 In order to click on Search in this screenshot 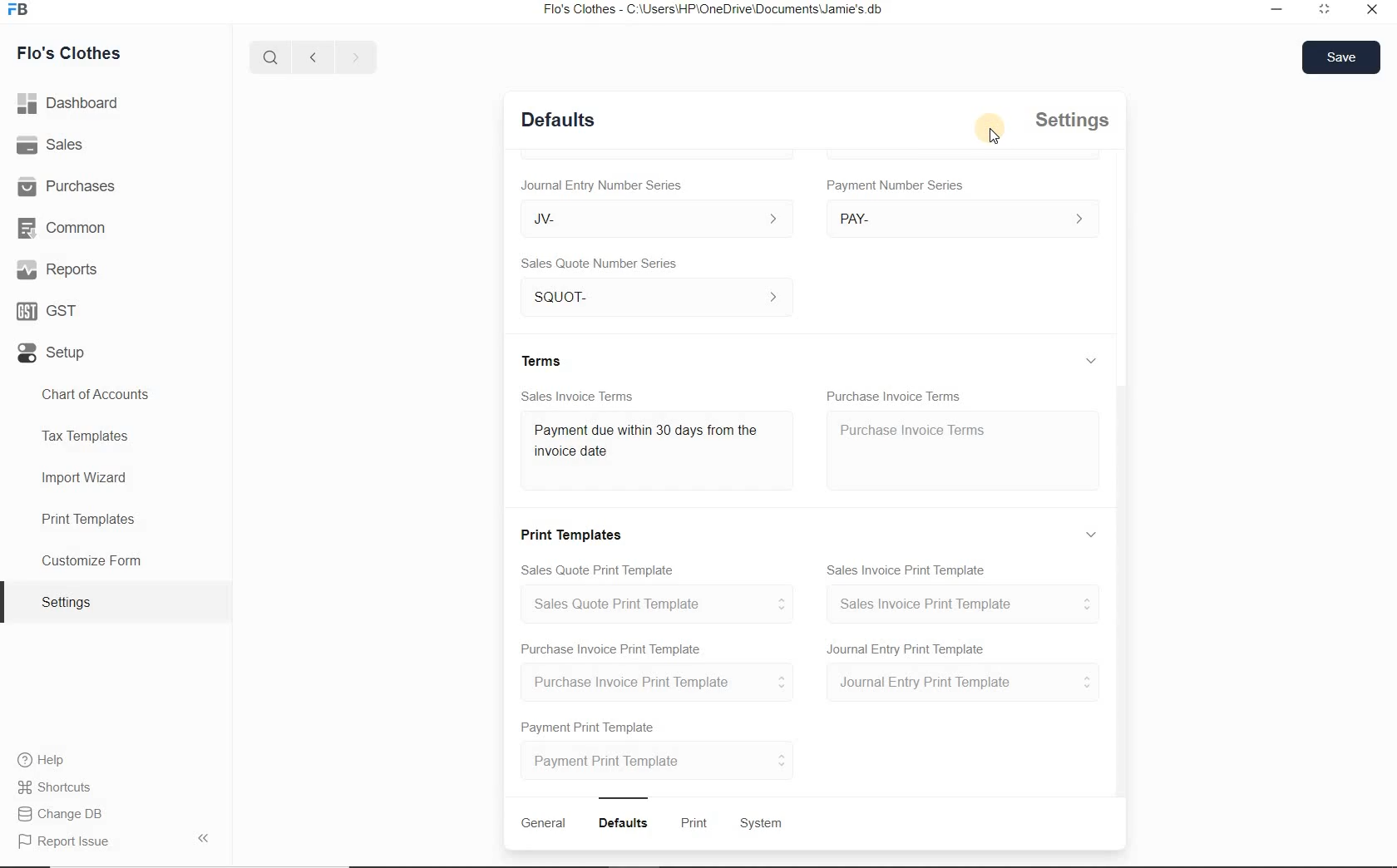, I will do `click(271, 56)`.